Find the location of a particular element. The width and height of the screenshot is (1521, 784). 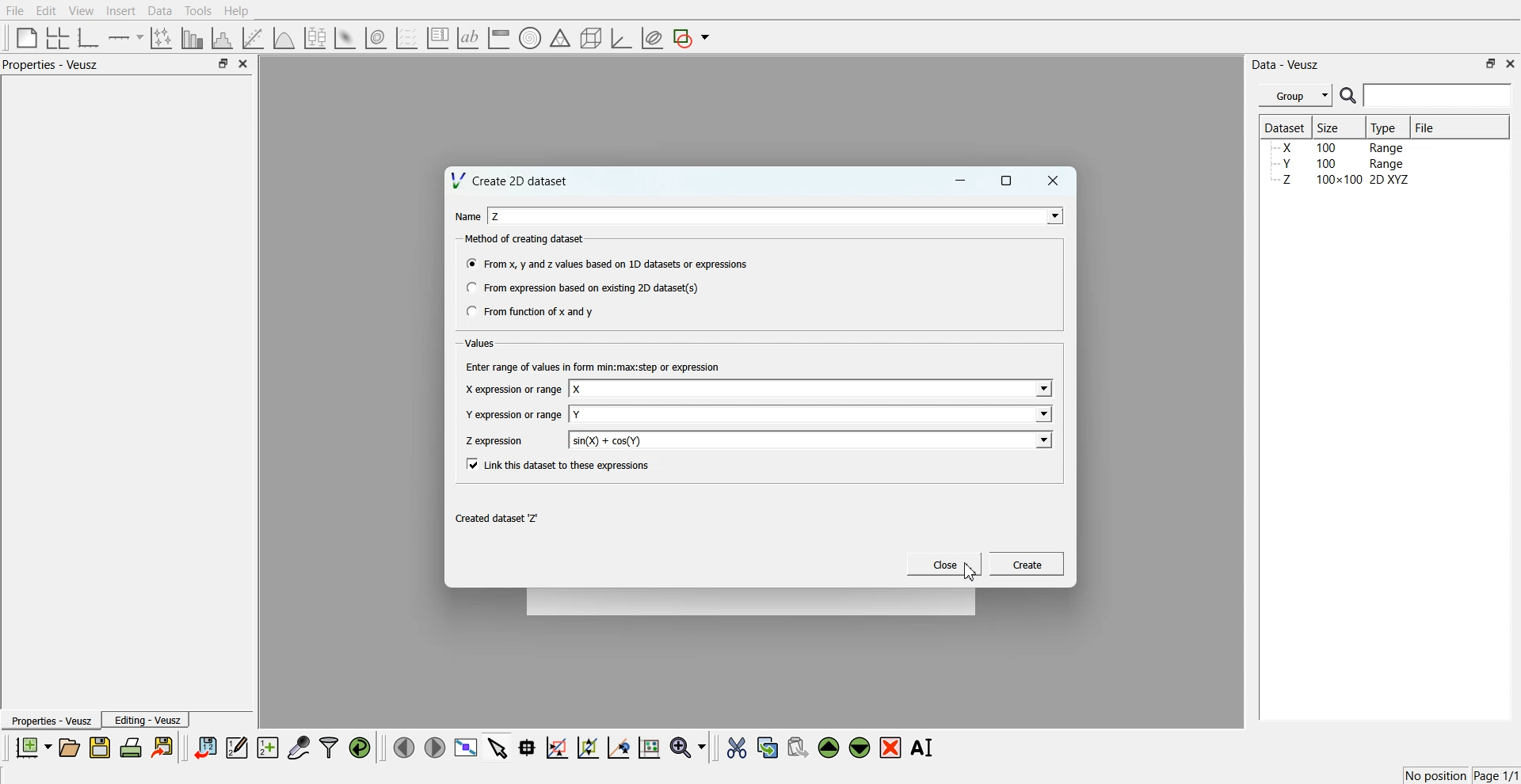

Select items from graph or scroll is located at coordinates (498, 746).